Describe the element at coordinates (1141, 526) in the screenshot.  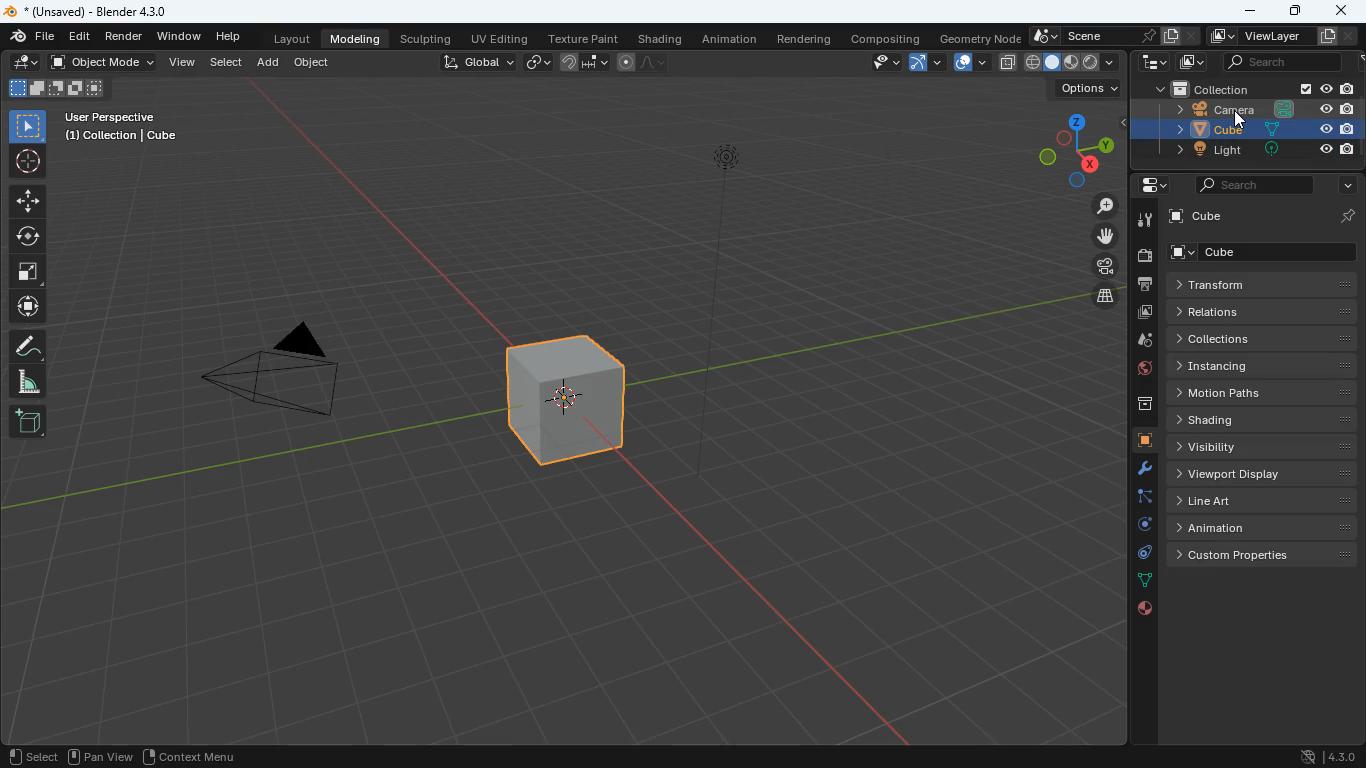
I see `rotation` at that location.